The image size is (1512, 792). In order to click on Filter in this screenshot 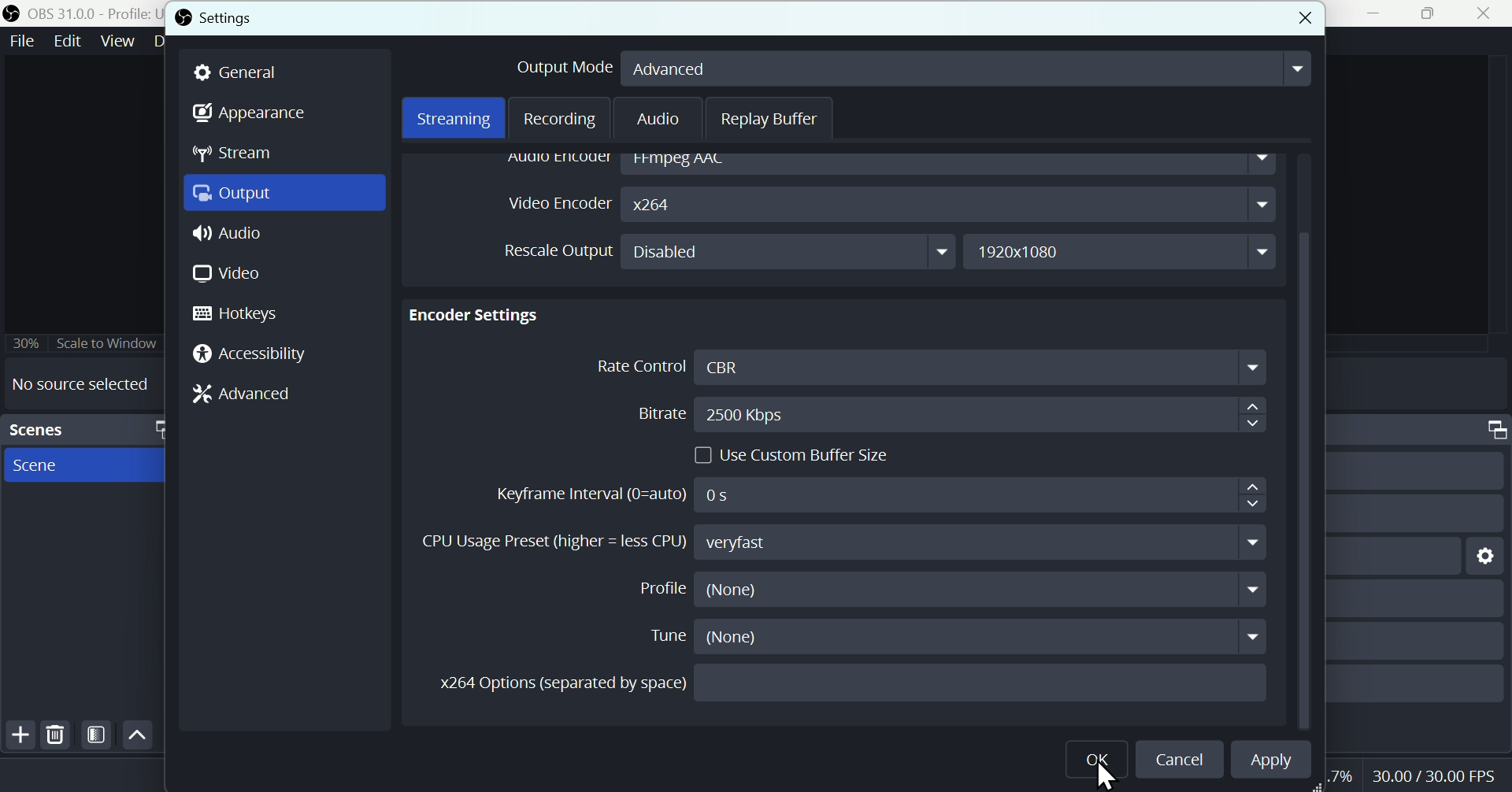, I will do `click(97, 735)`.